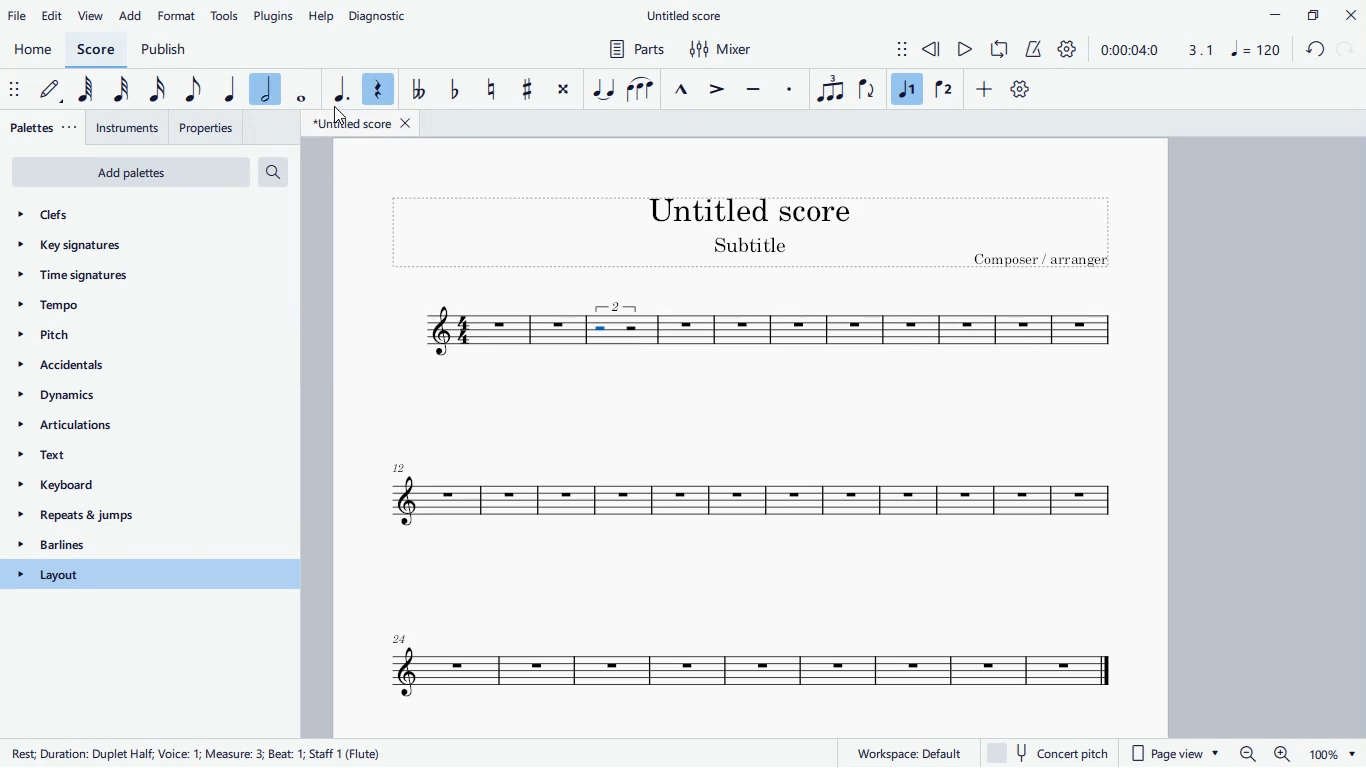 Image resolution: width=1366 pixels, height=768 pixels. Describe the element at coordinates (383, 13) in the screenshot. I see `diagnostic` at that location.